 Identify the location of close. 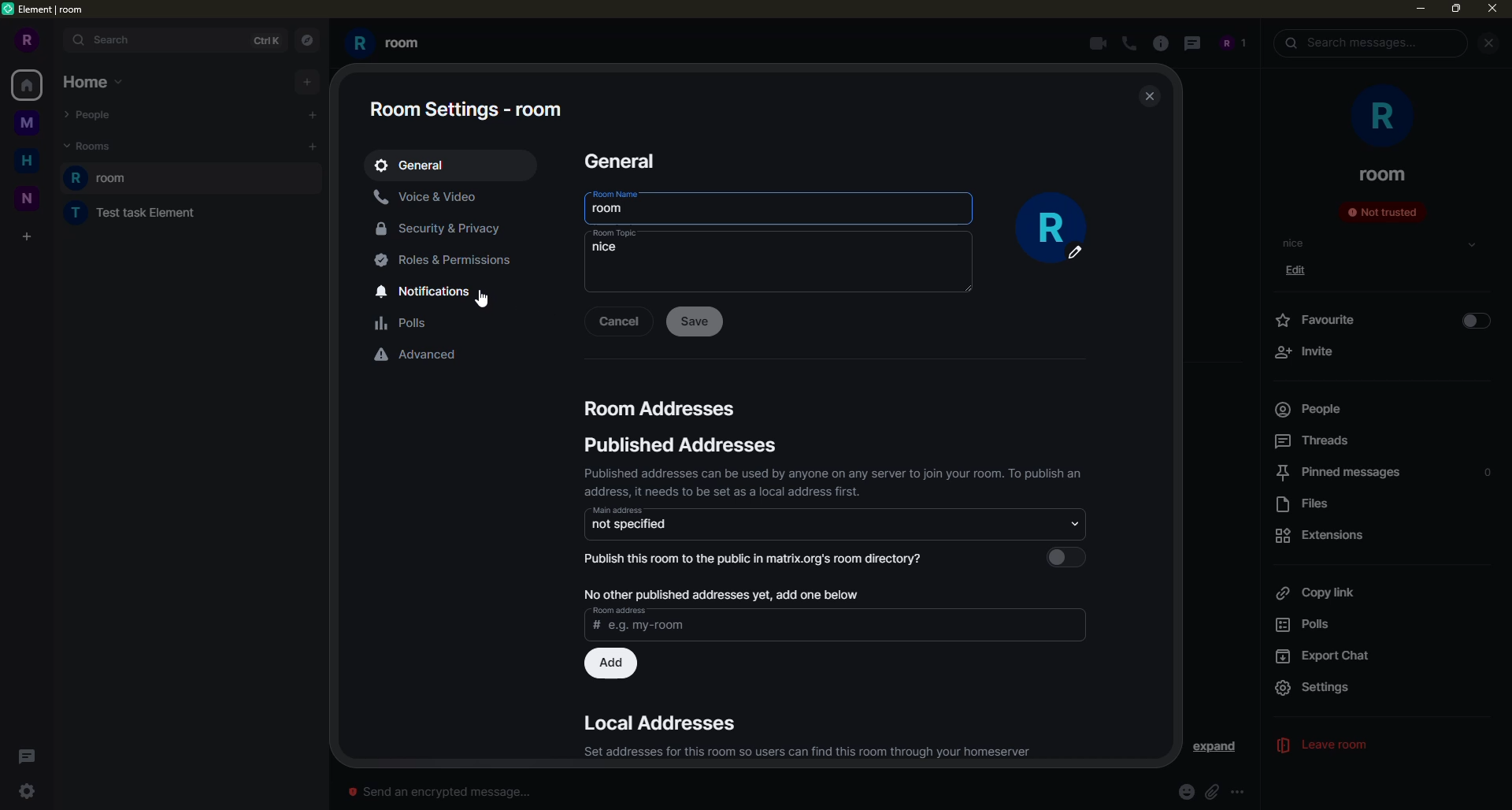
(1491, 10).